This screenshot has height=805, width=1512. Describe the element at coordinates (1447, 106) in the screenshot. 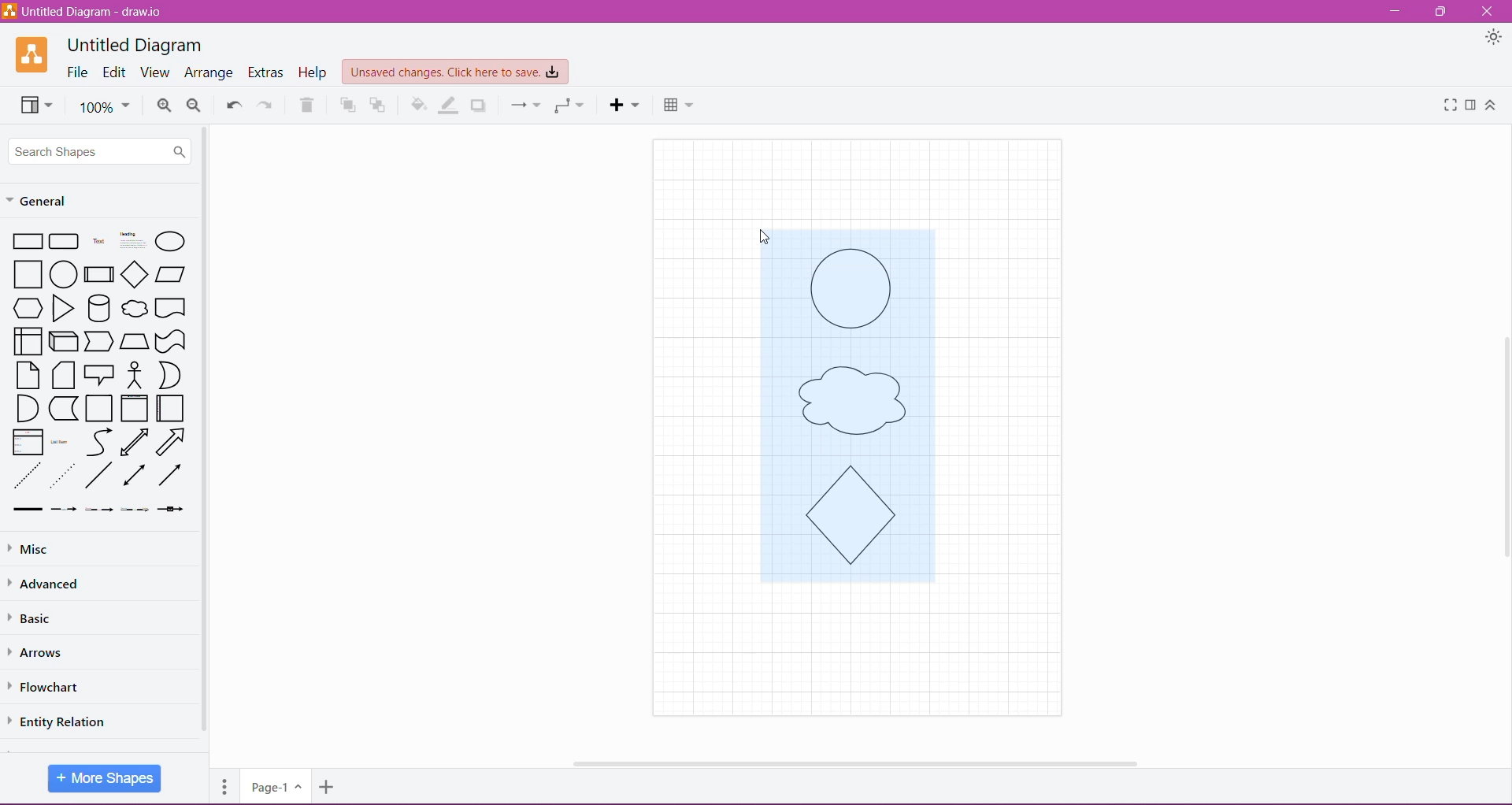

I see `Fullscreen` at that location.